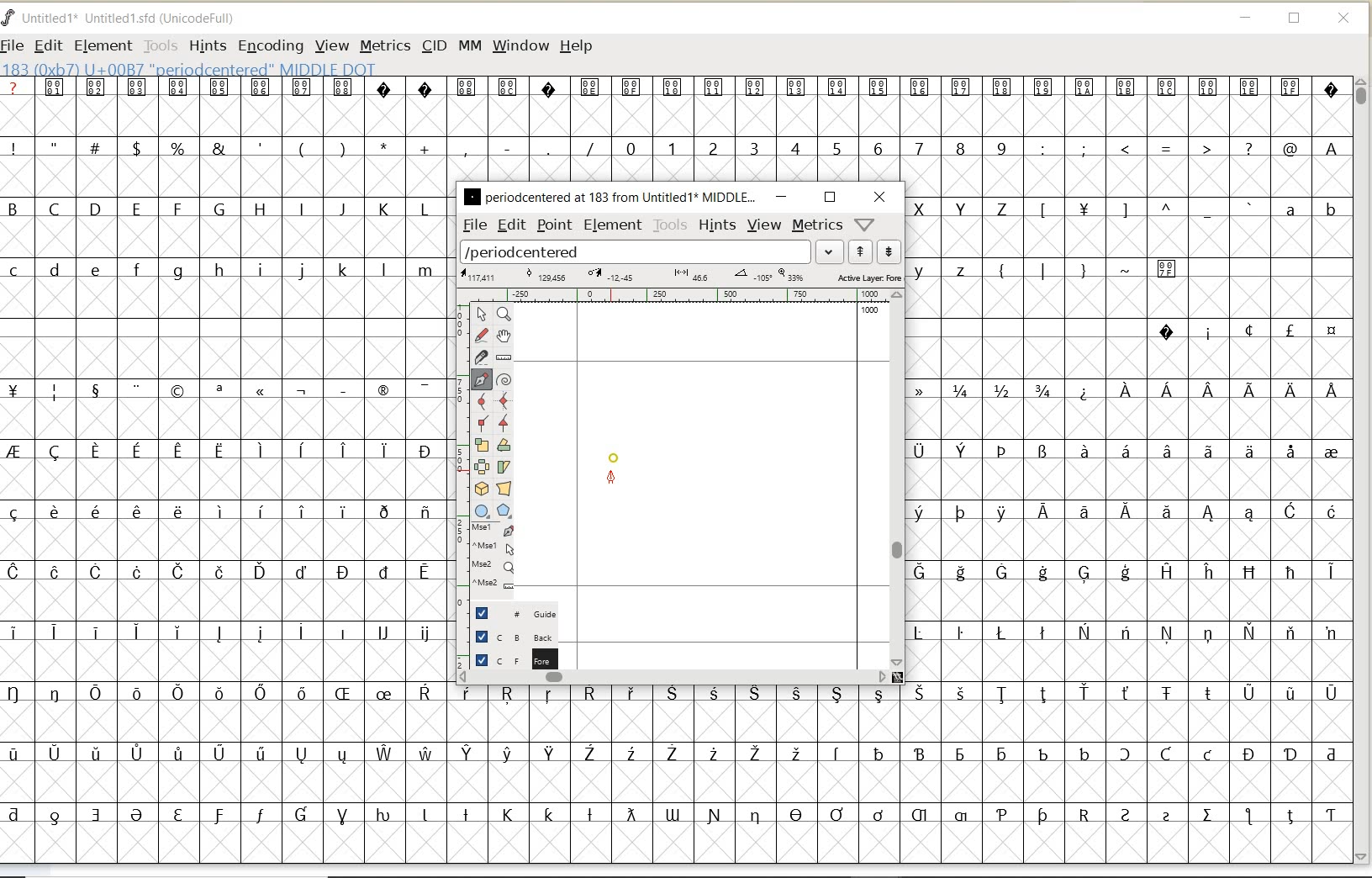 The height and width of the screenshot is (878, 1372). I want to click on edit, so click(510, 225).